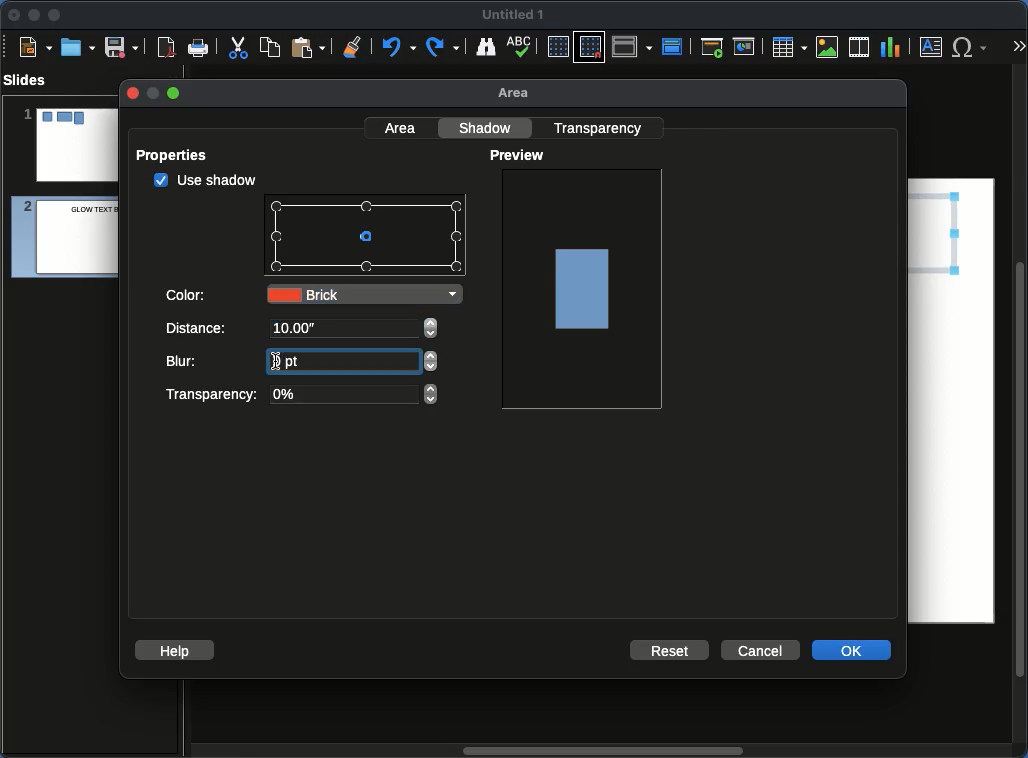  What do you see at coordinates (55, 17) in the screenshot?
I see `Maximize` at bounding box center [55, 17].